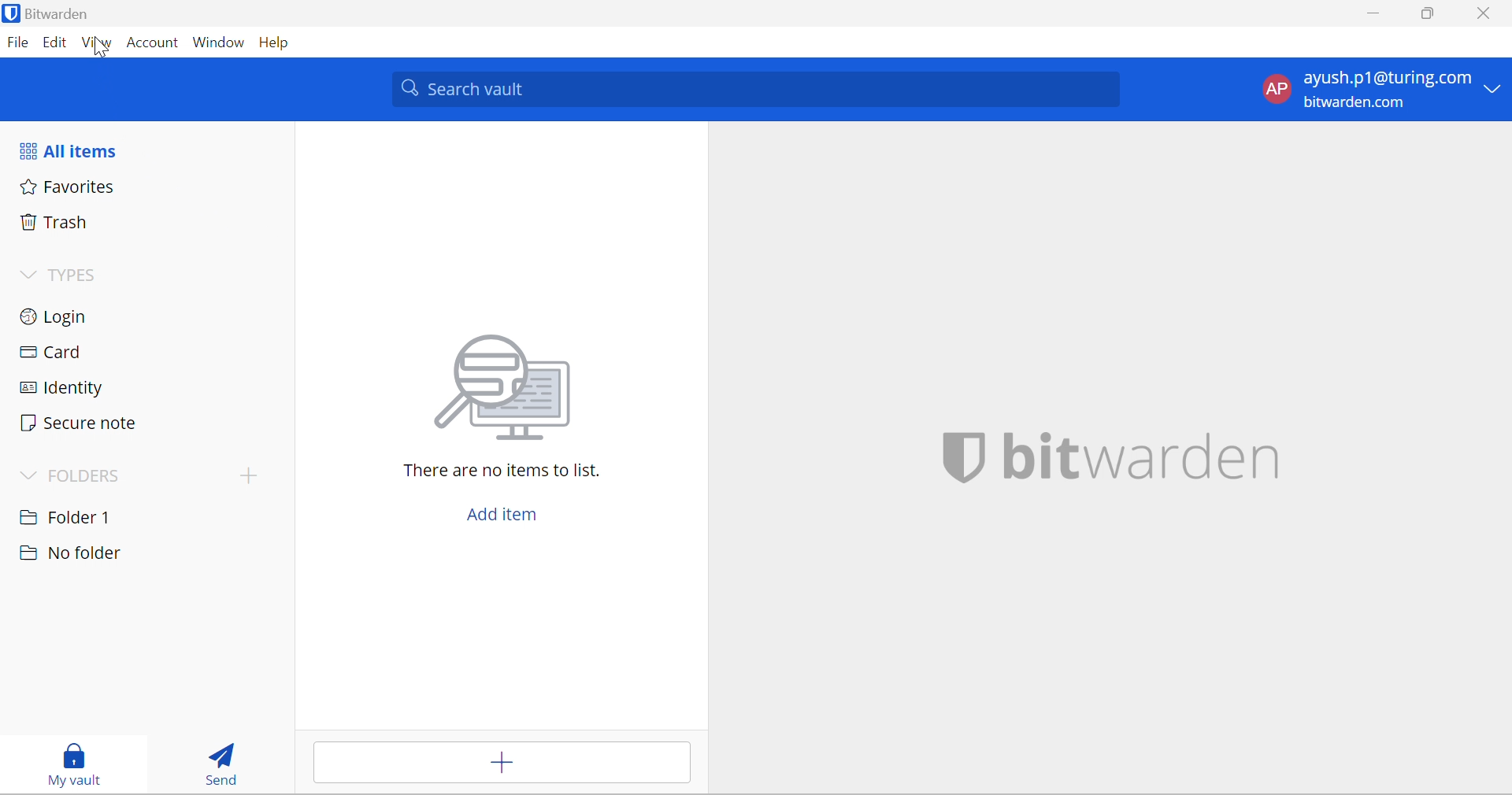 The image size is (1512, 795). I want to click on Login, so click(61, 317).